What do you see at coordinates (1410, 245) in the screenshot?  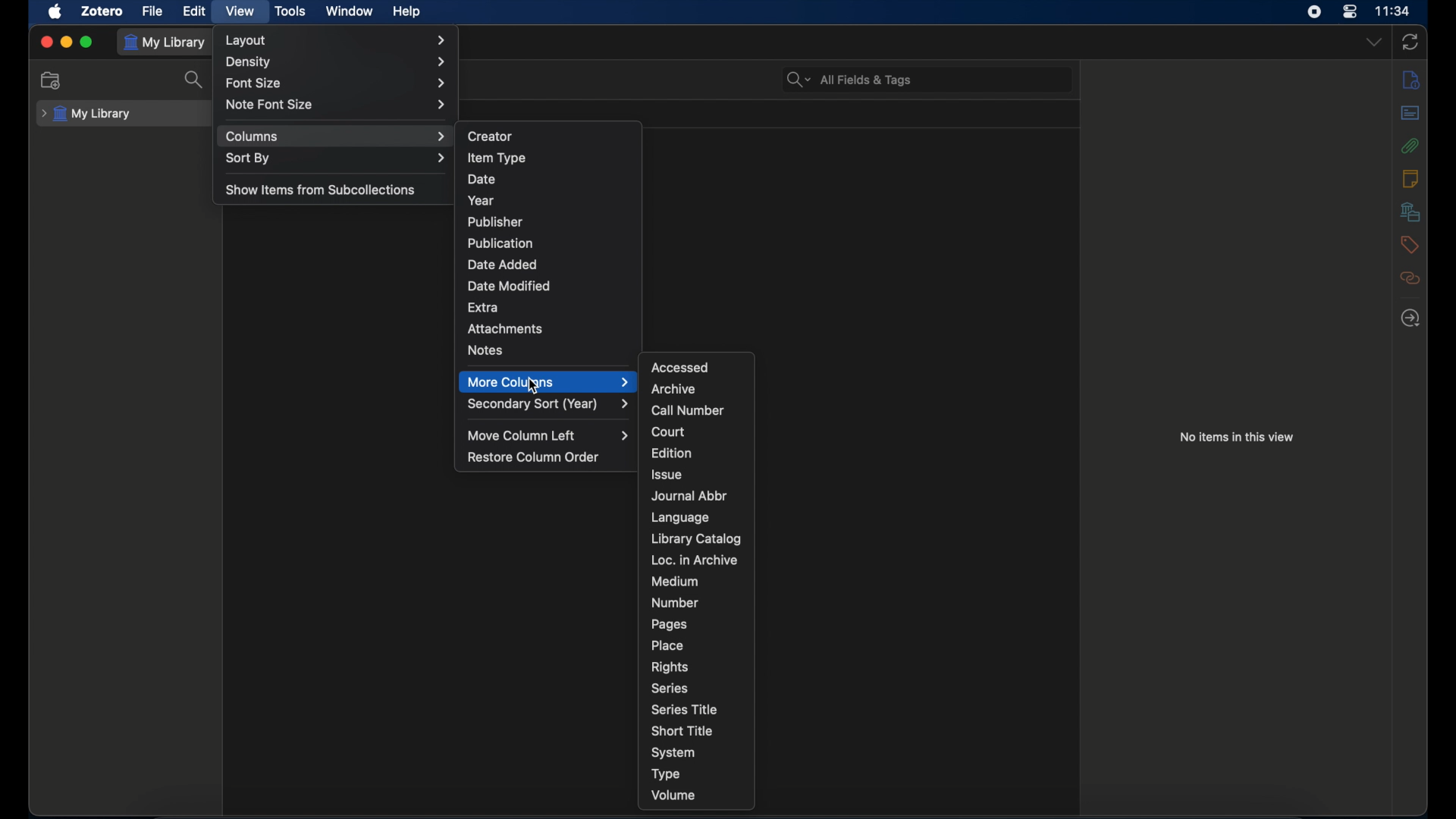 I see `tags` at bounding box center [1410, 245].